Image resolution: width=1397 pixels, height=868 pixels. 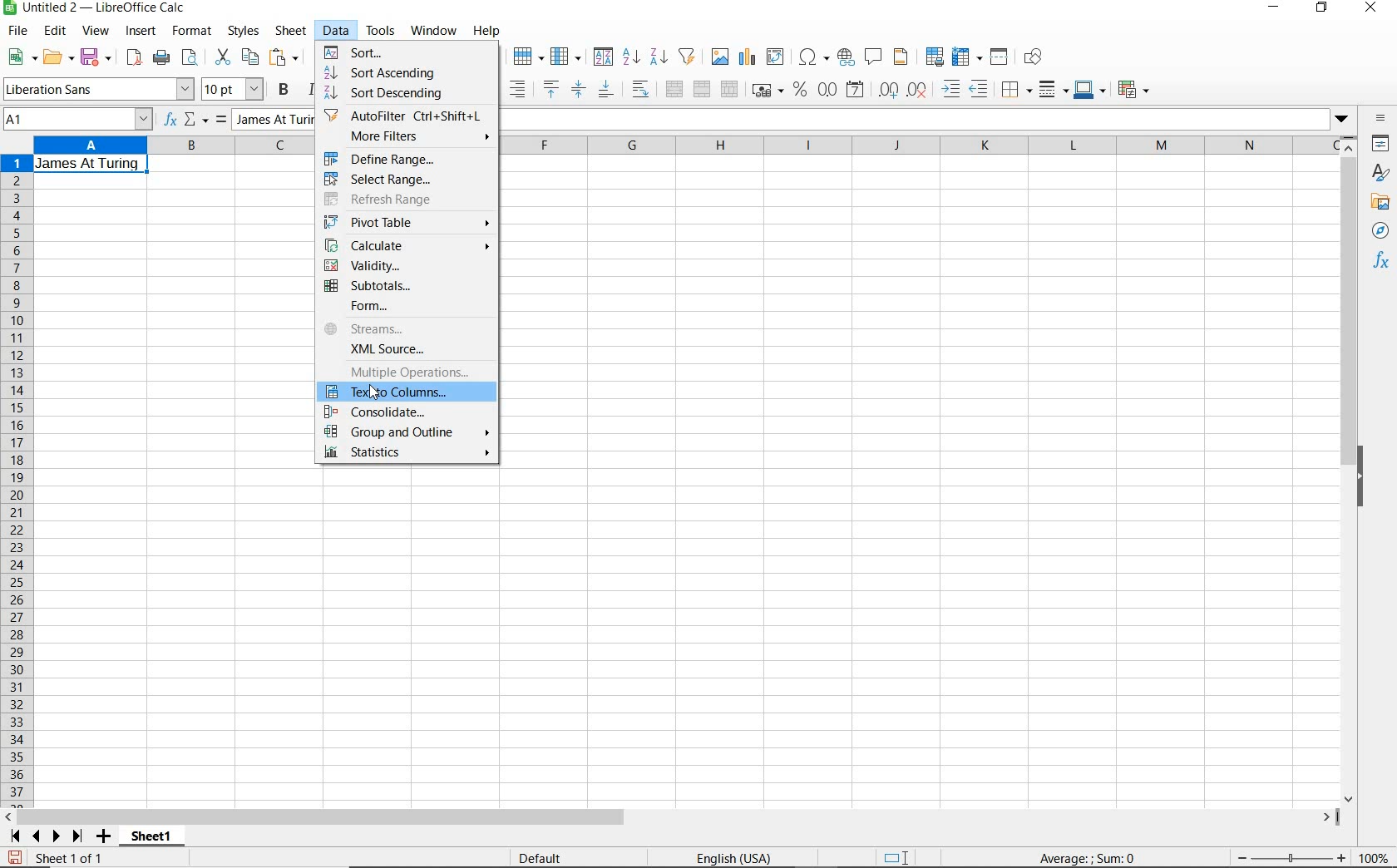 What do you see at coordinates (778, 58) in the screenshot?
I see `insert or edit pivot table` at bounding box center [778, 58].